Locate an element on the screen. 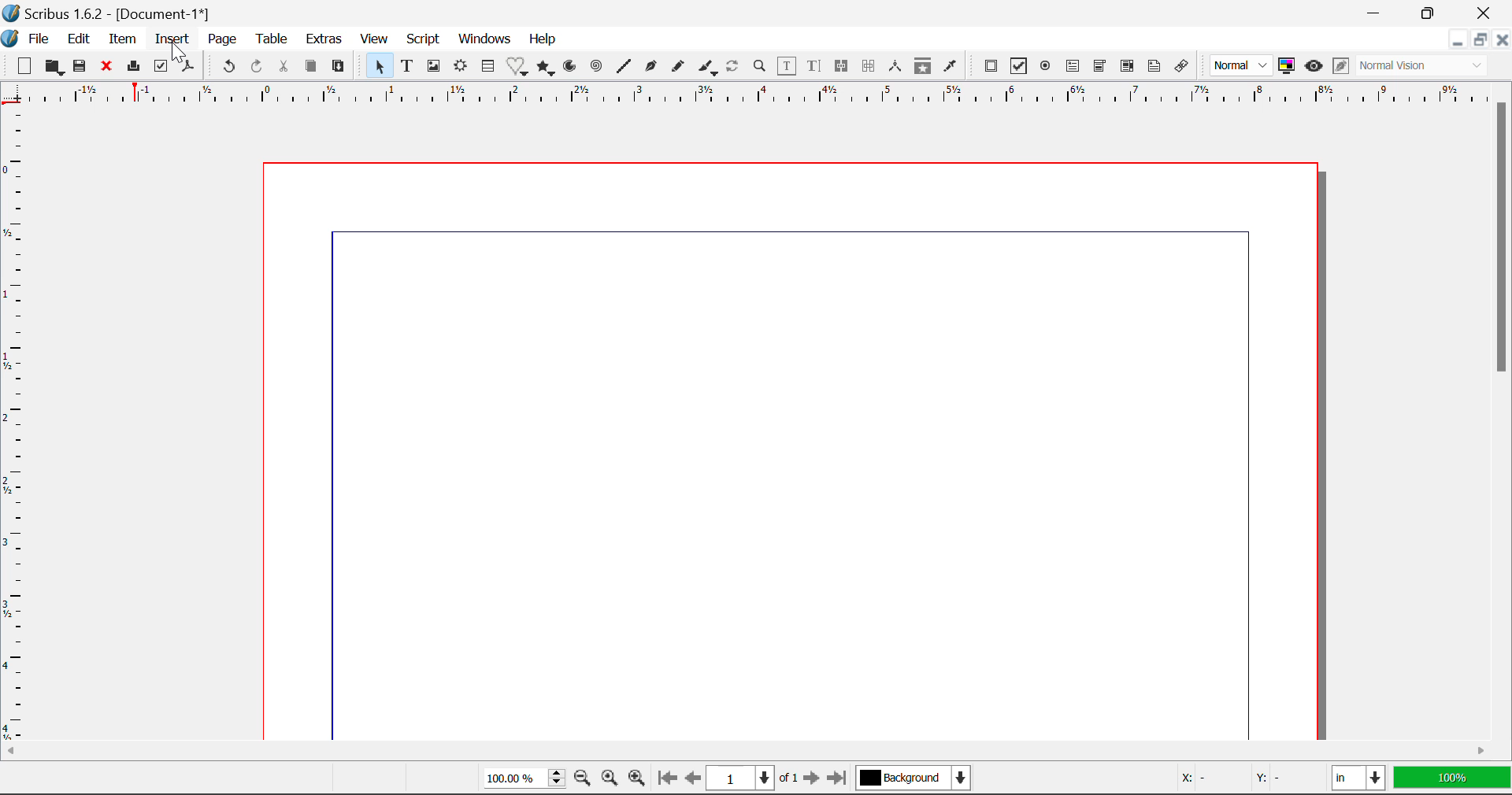 This screenshot has width=1512, height=795. Cut is located at coordinates (287, 65).